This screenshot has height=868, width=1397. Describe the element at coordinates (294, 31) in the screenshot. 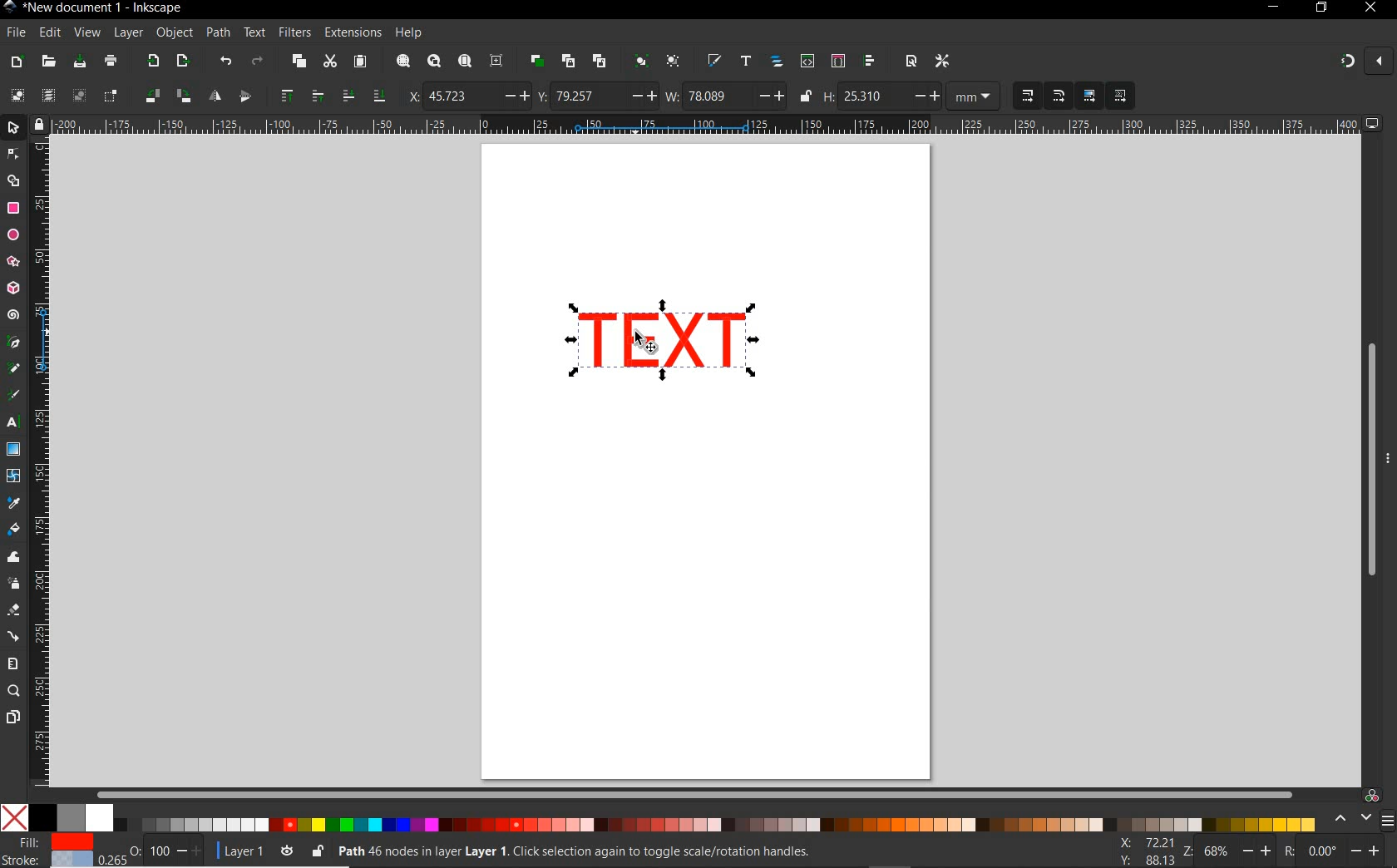

I see `FILTERS` at that location.